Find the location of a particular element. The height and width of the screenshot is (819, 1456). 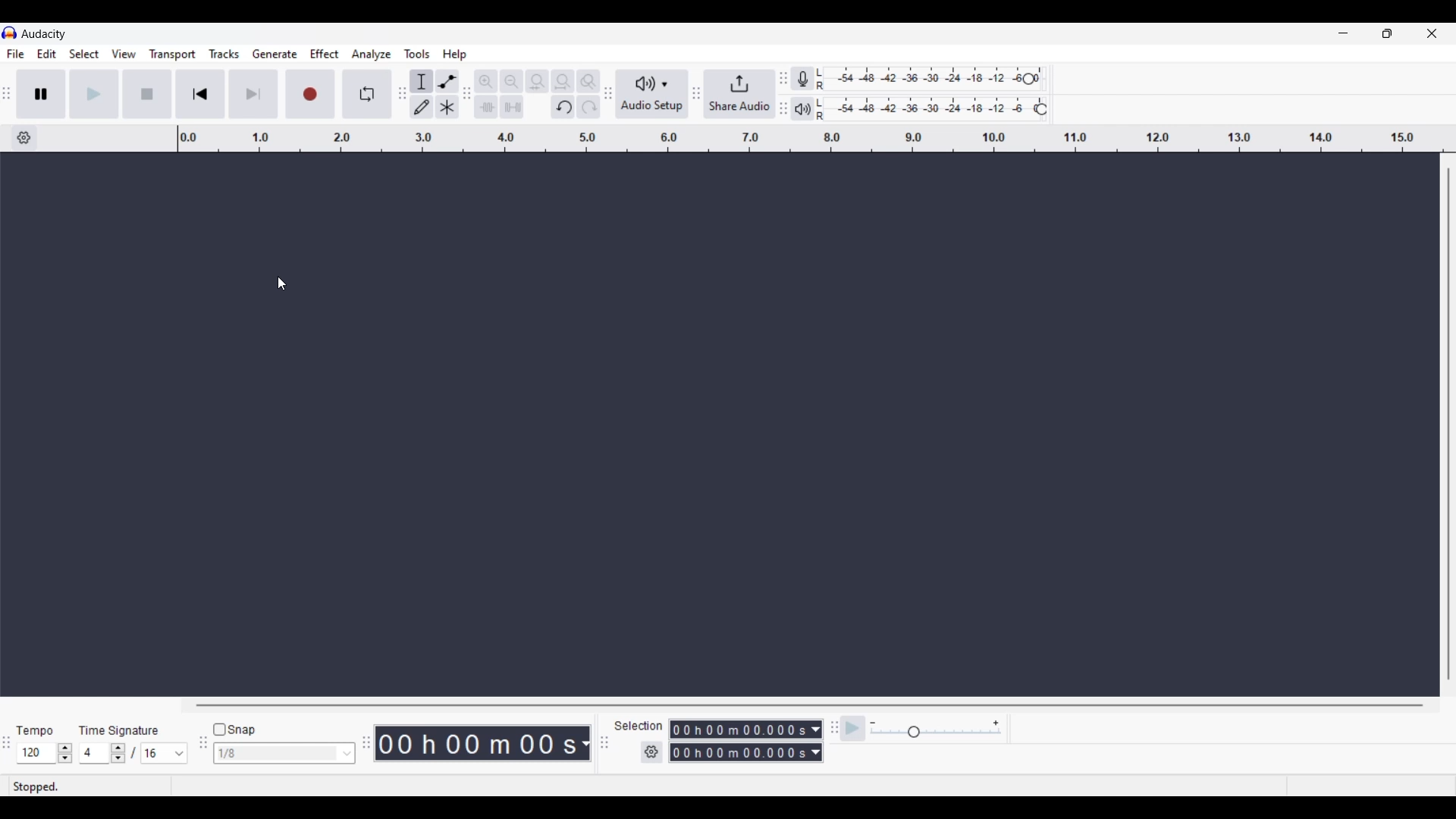

Trim audio outside selection is located at coordinates (485, 106).